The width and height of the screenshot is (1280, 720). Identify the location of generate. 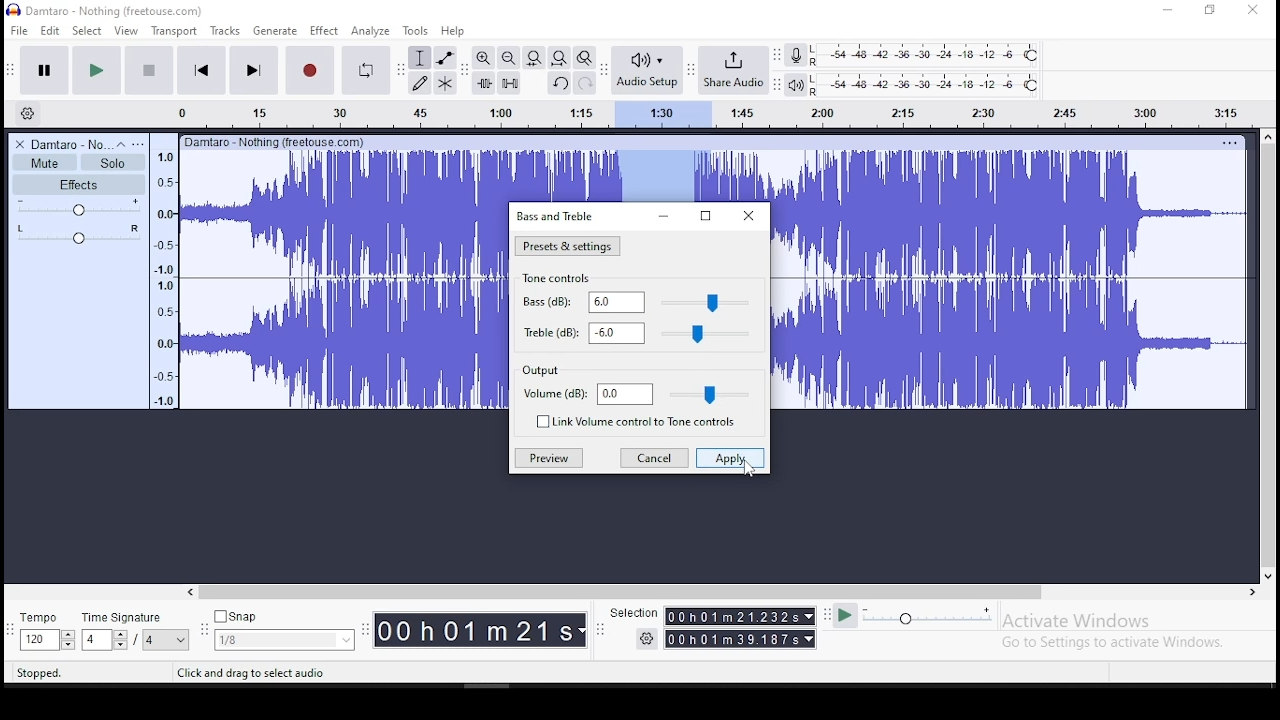
(273, 31).